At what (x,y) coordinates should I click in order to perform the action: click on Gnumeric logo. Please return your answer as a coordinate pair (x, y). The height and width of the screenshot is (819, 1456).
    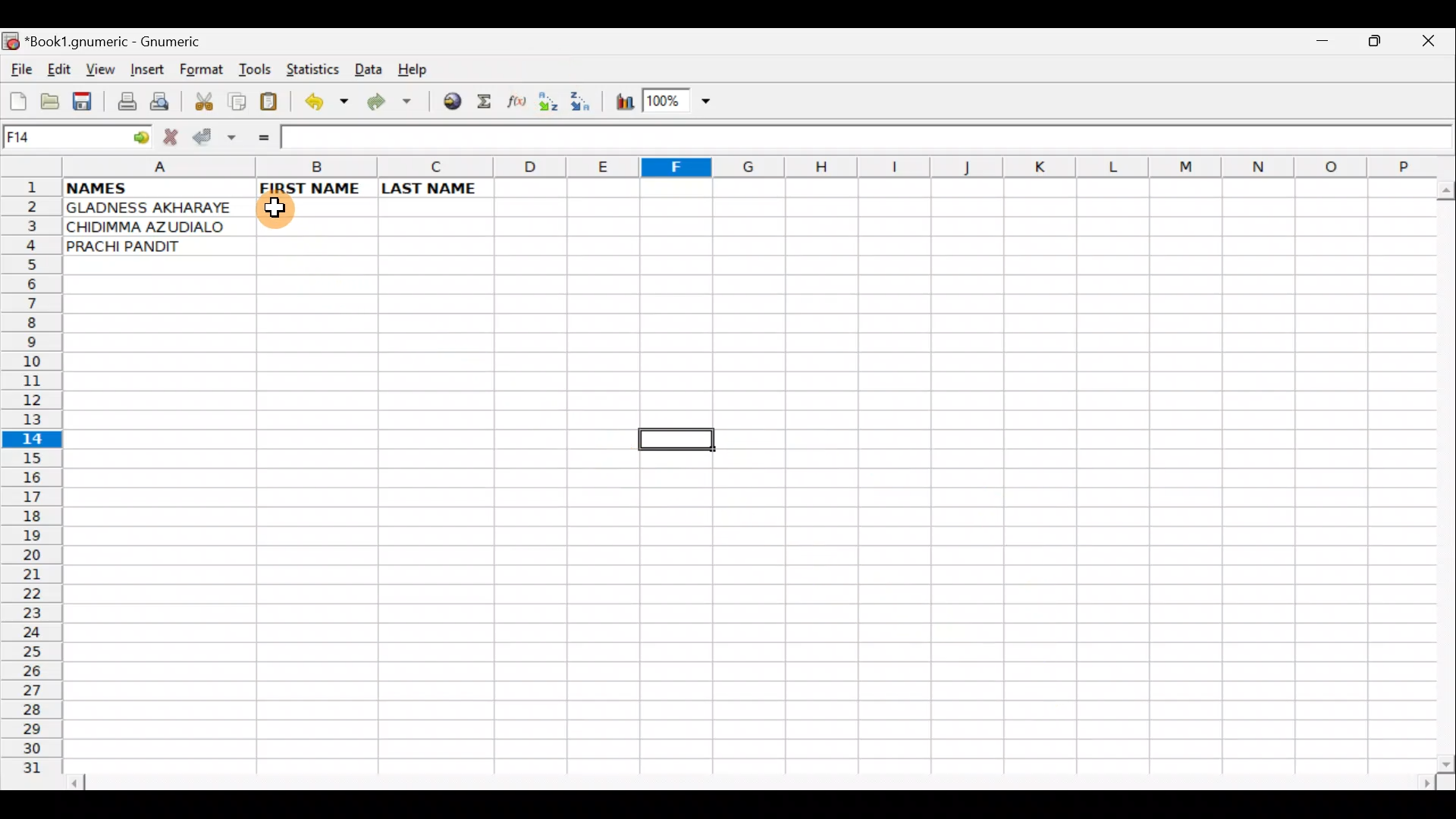
    Looking at the image, I should click on (11, 42).